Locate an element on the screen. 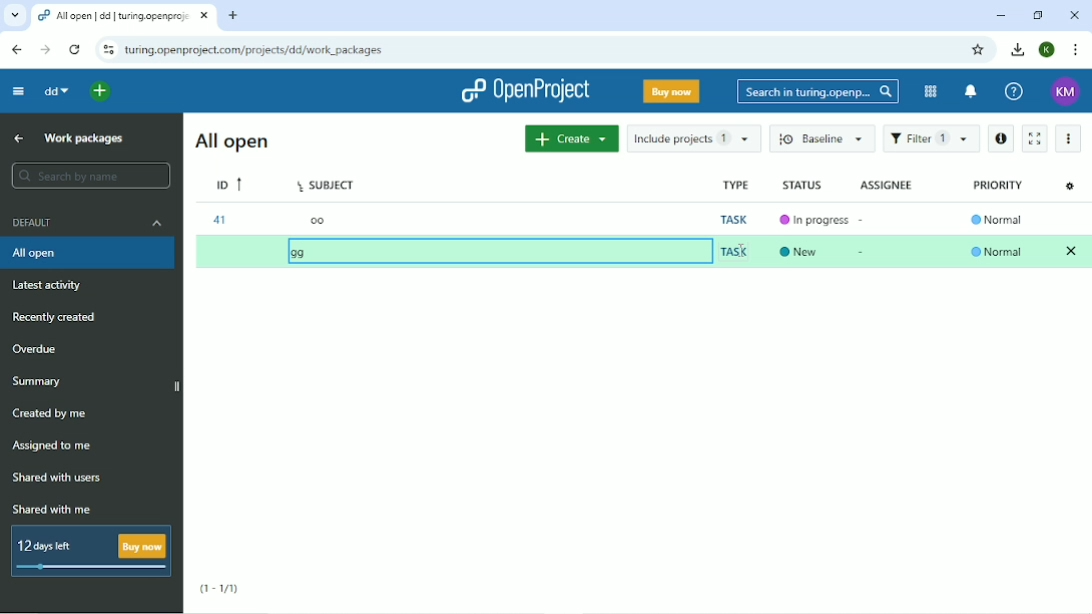  Create is located at coordinates (571, 139).